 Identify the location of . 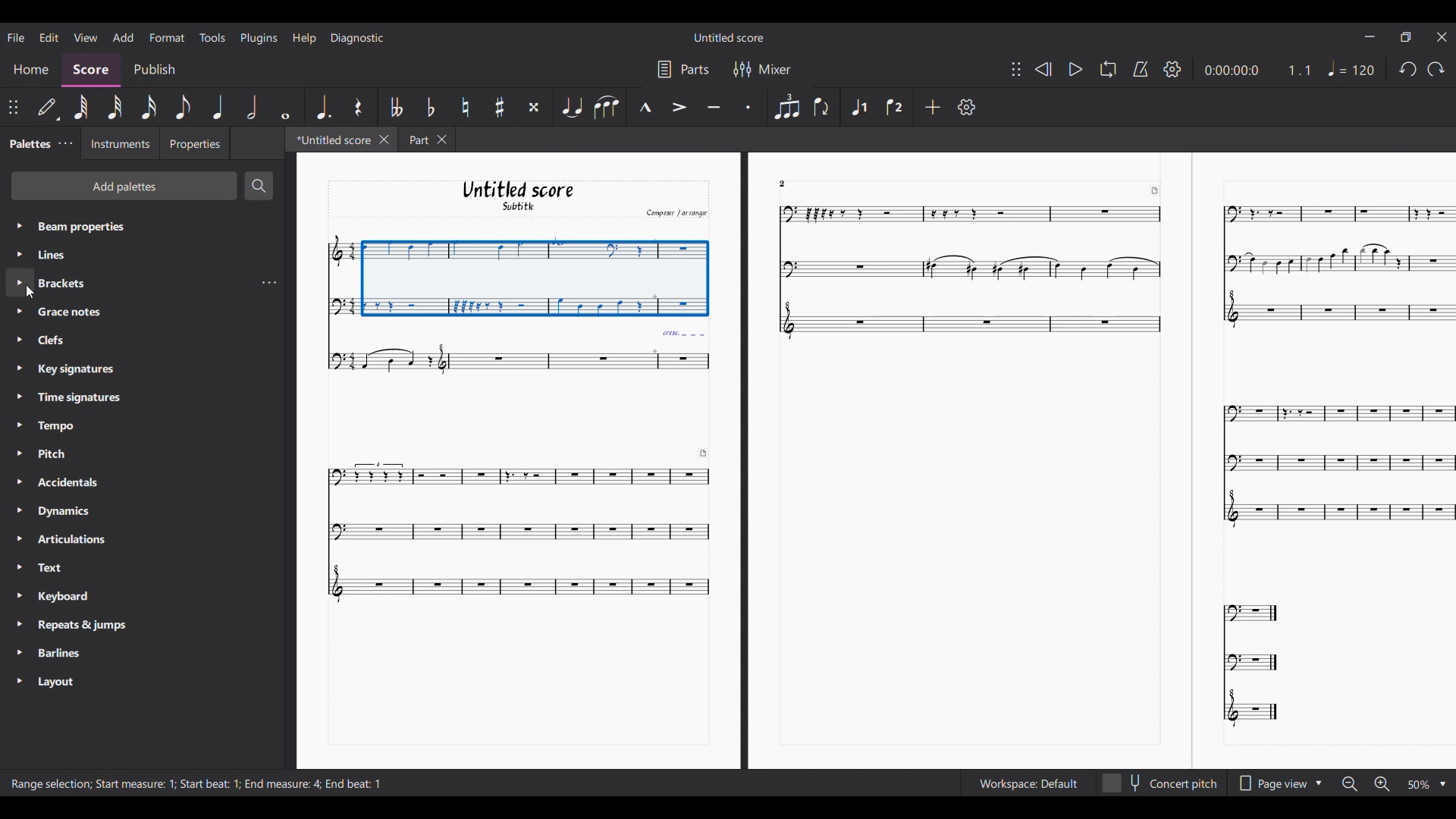
(664, 67).